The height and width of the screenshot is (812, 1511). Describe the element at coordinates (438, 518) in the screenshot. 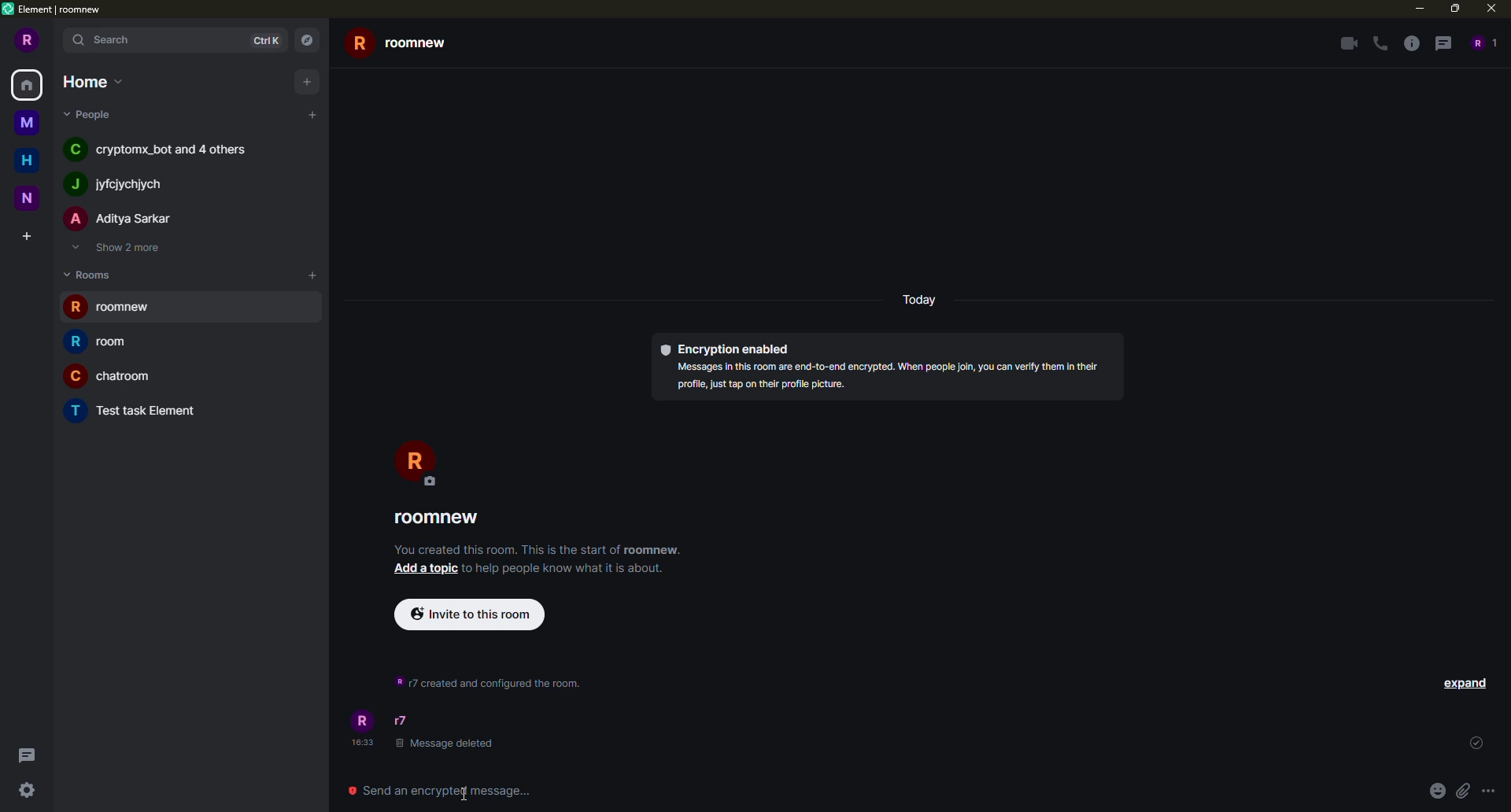

I see `room` at that location.